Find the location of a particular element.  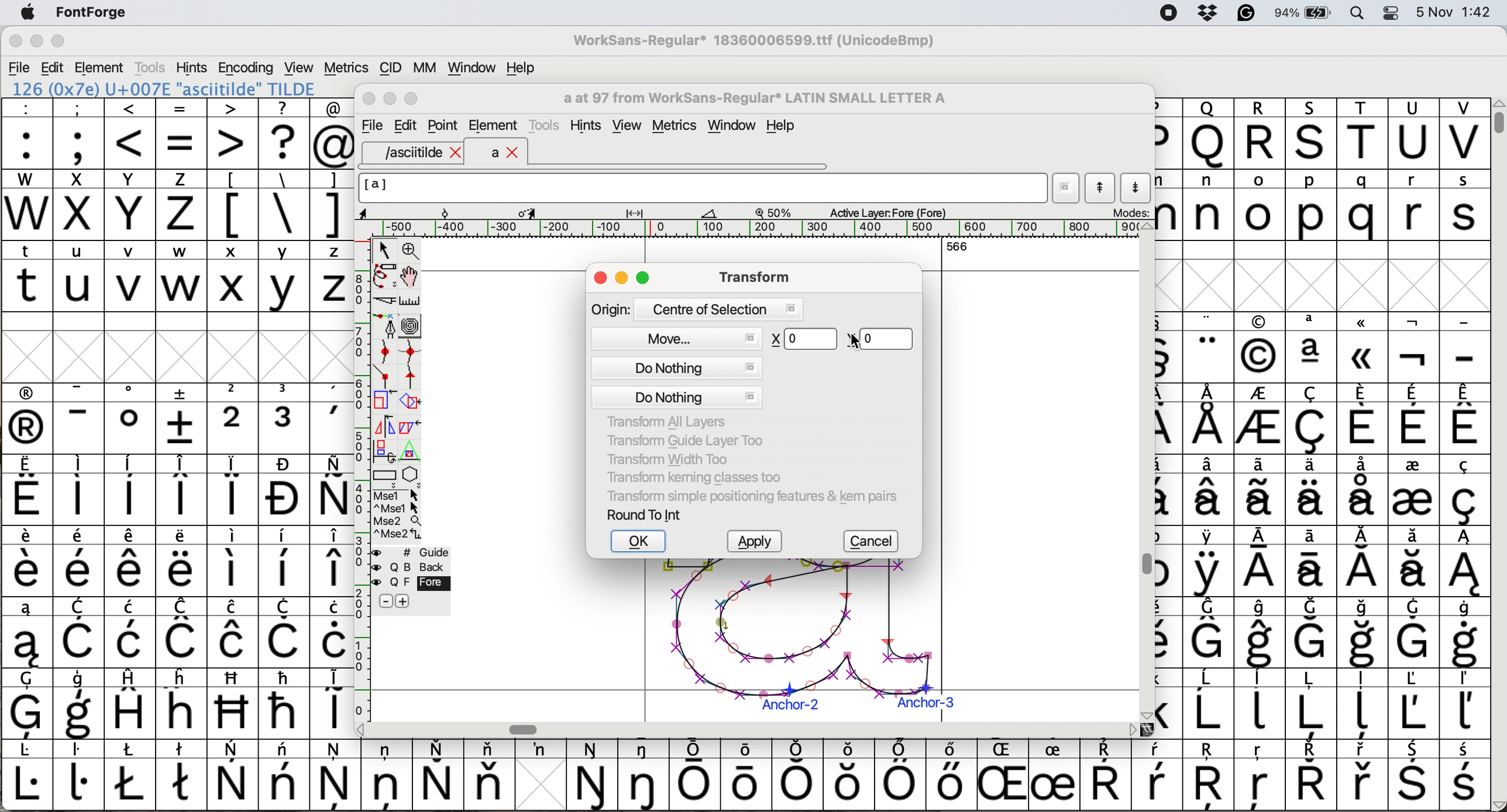

draw freehand curve is located at coordinates (384, 276).